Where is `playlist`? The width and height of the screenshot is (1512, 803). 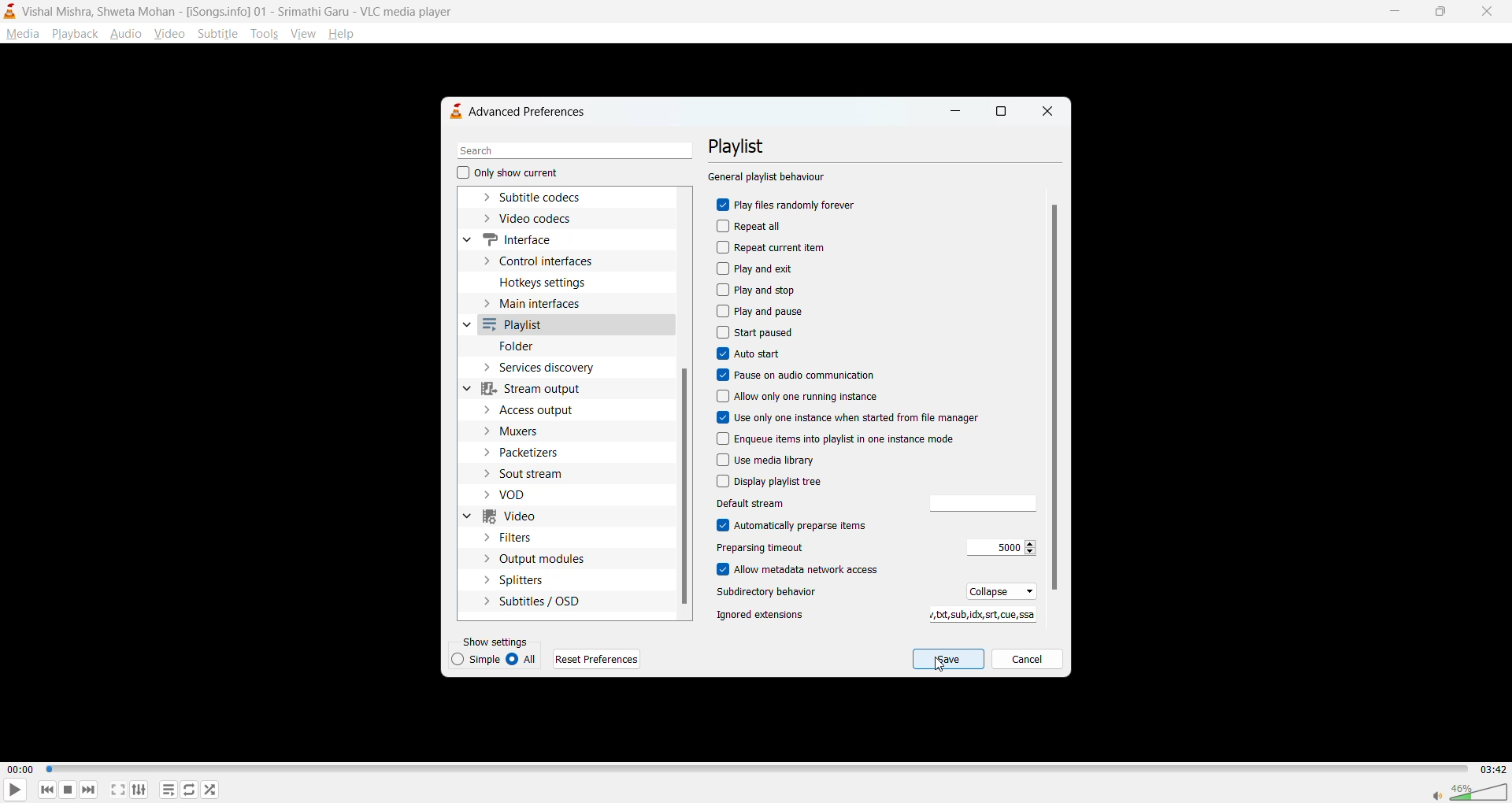 playlist is located at coordinates (520, 326).